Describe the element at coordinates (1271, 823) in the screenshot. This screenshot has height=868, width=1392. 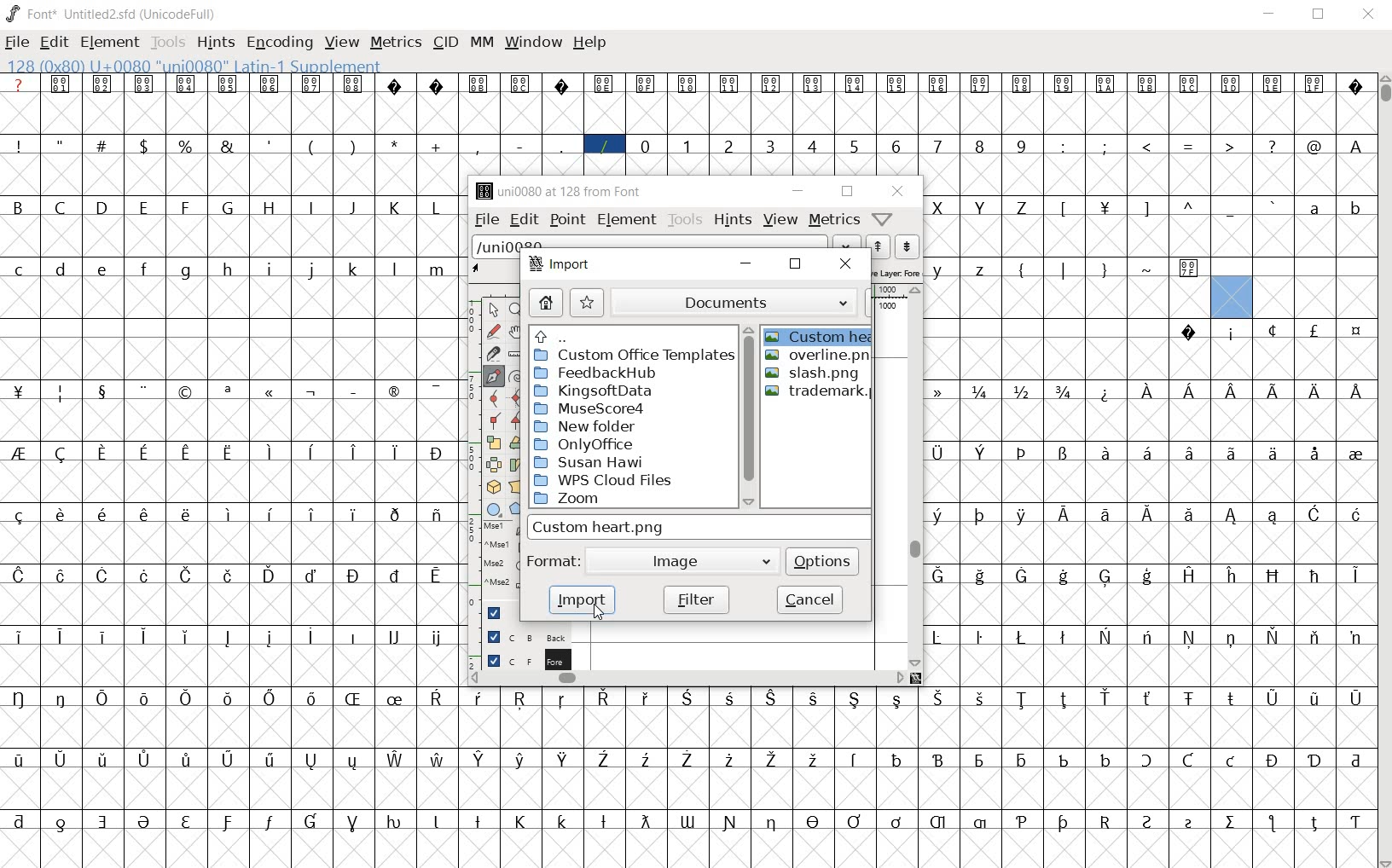
I see `glyph` at that location.